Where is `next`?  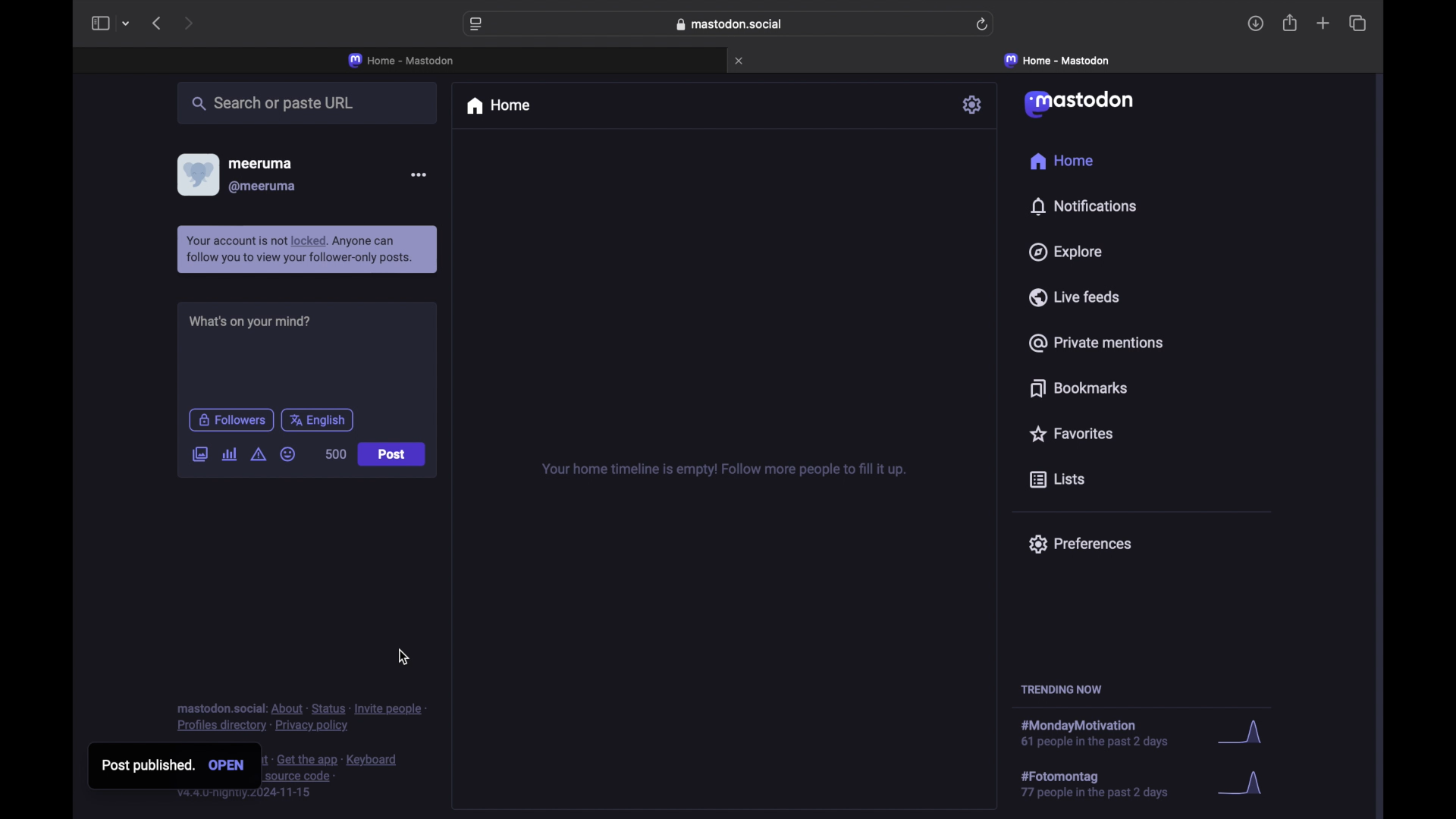 next is located at coordinates (190, 23).